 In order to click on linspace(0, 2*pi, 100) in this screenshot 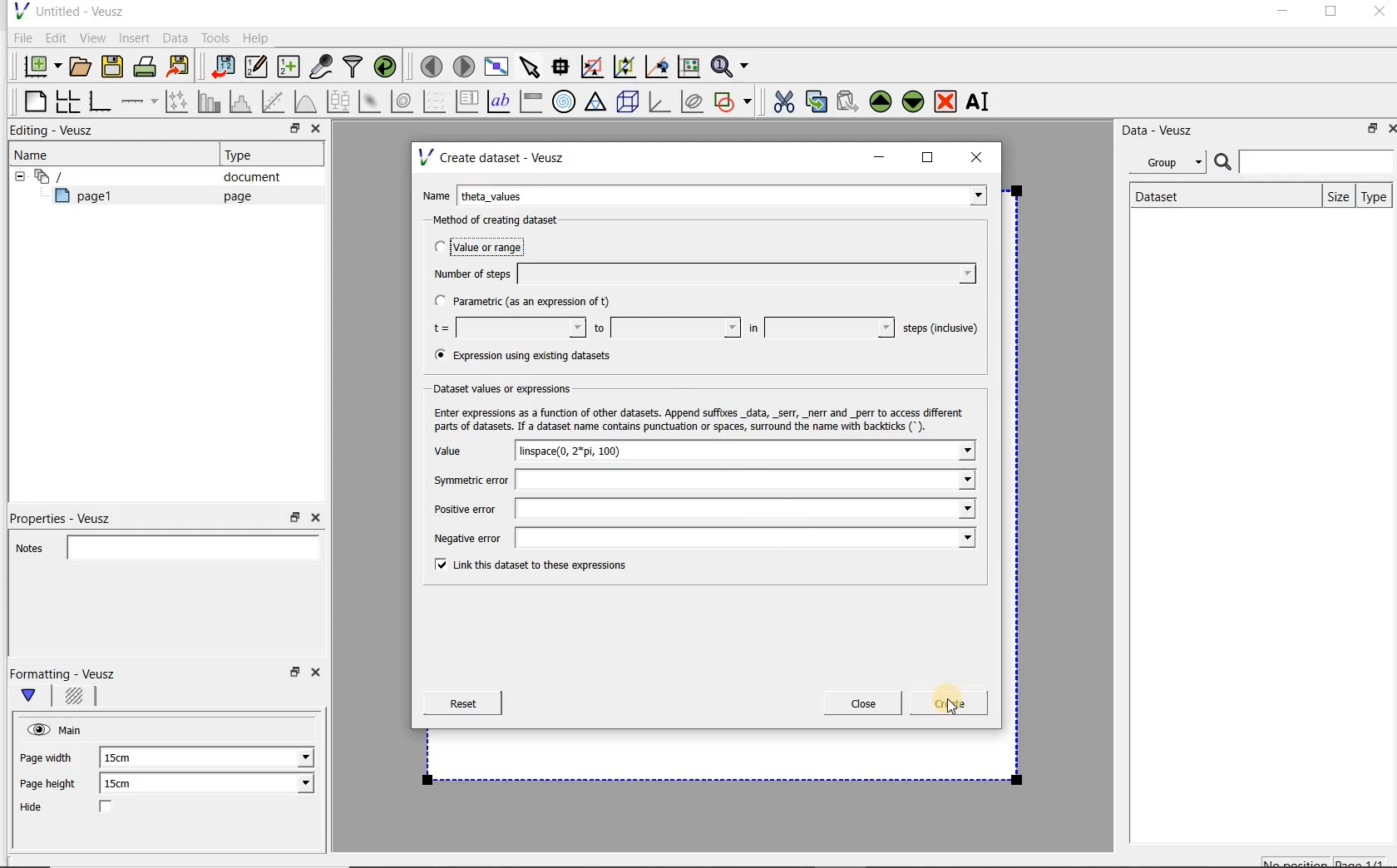, I will do `click(748, 451)`.